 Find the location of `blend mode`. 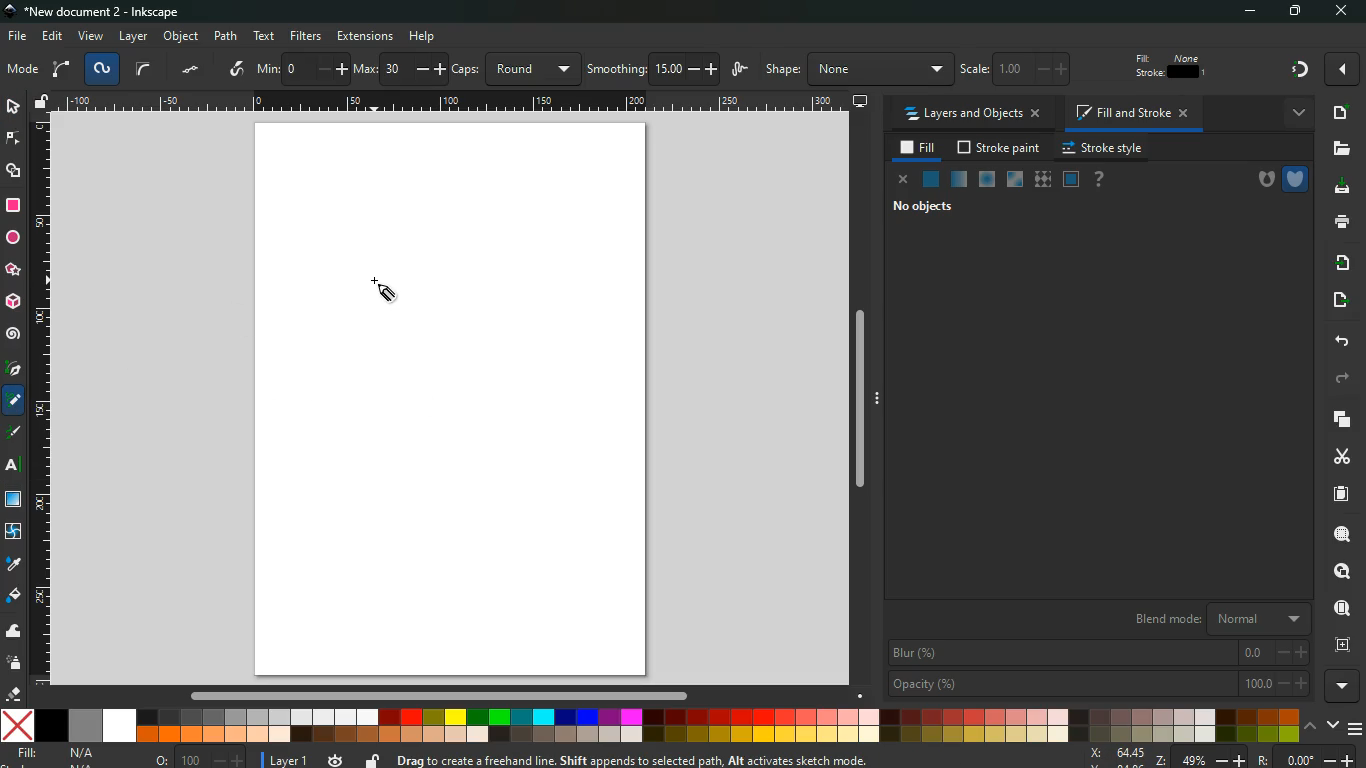

blend mode is located at coordinates (1207, 617).